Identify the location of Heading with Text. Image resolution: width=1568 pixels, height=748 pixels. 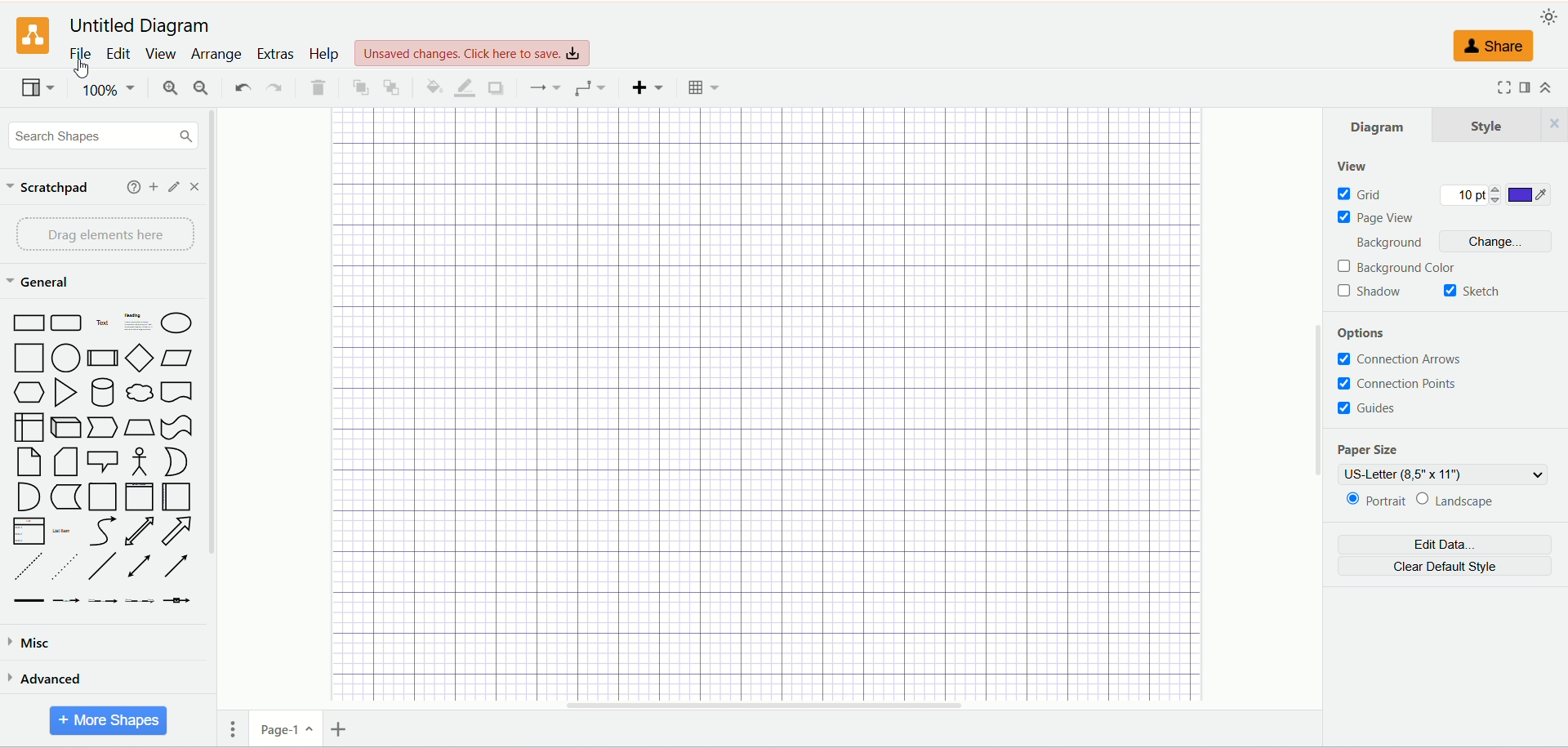
(139, 324).